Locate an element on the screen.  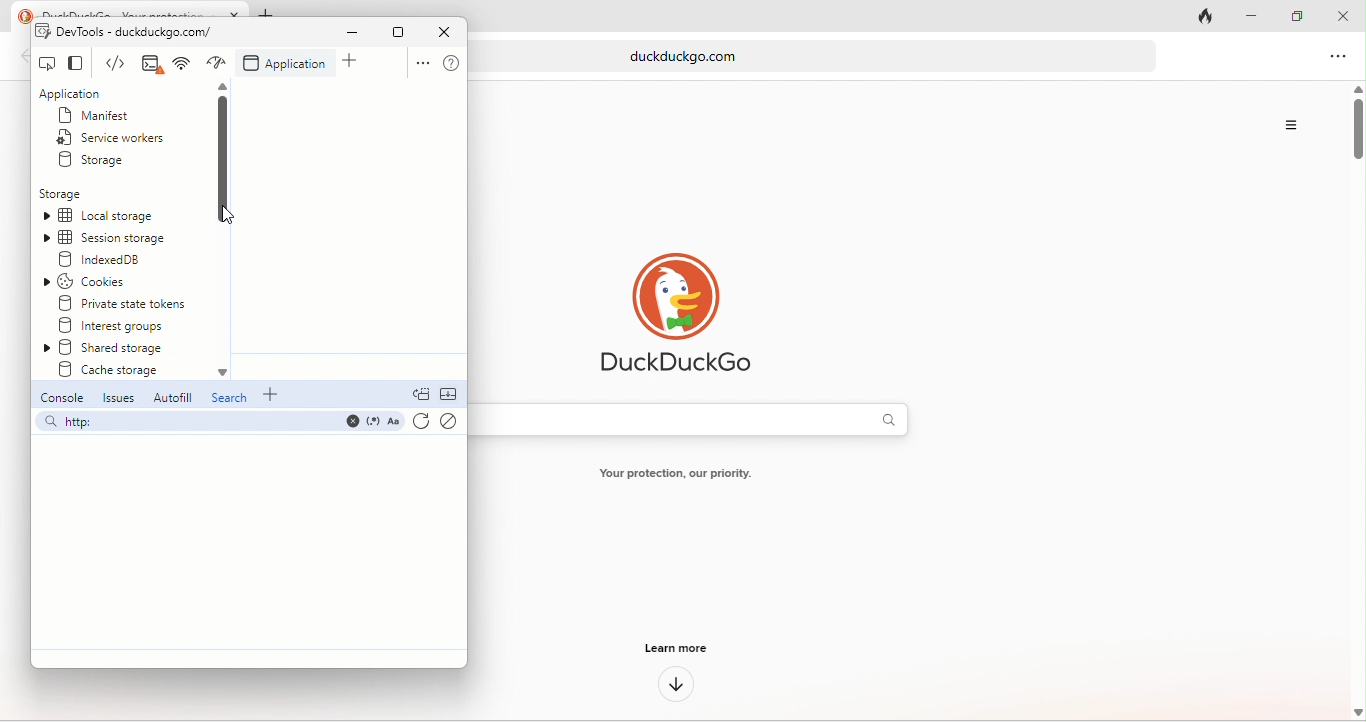
maximize is located at coordinates (1289, 13).